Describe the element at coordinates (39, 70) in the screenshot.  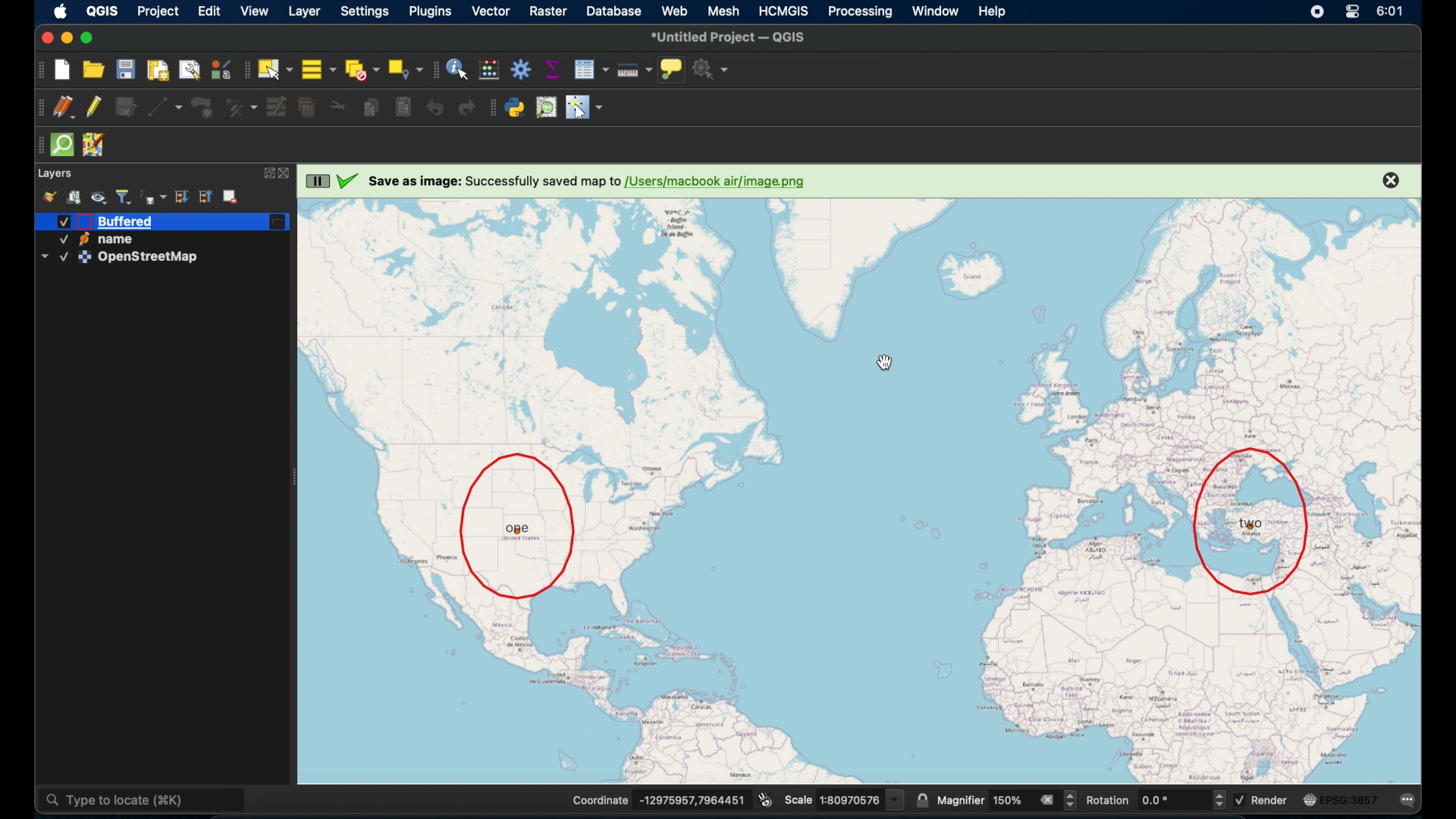
I see `project toolbar` at that location.